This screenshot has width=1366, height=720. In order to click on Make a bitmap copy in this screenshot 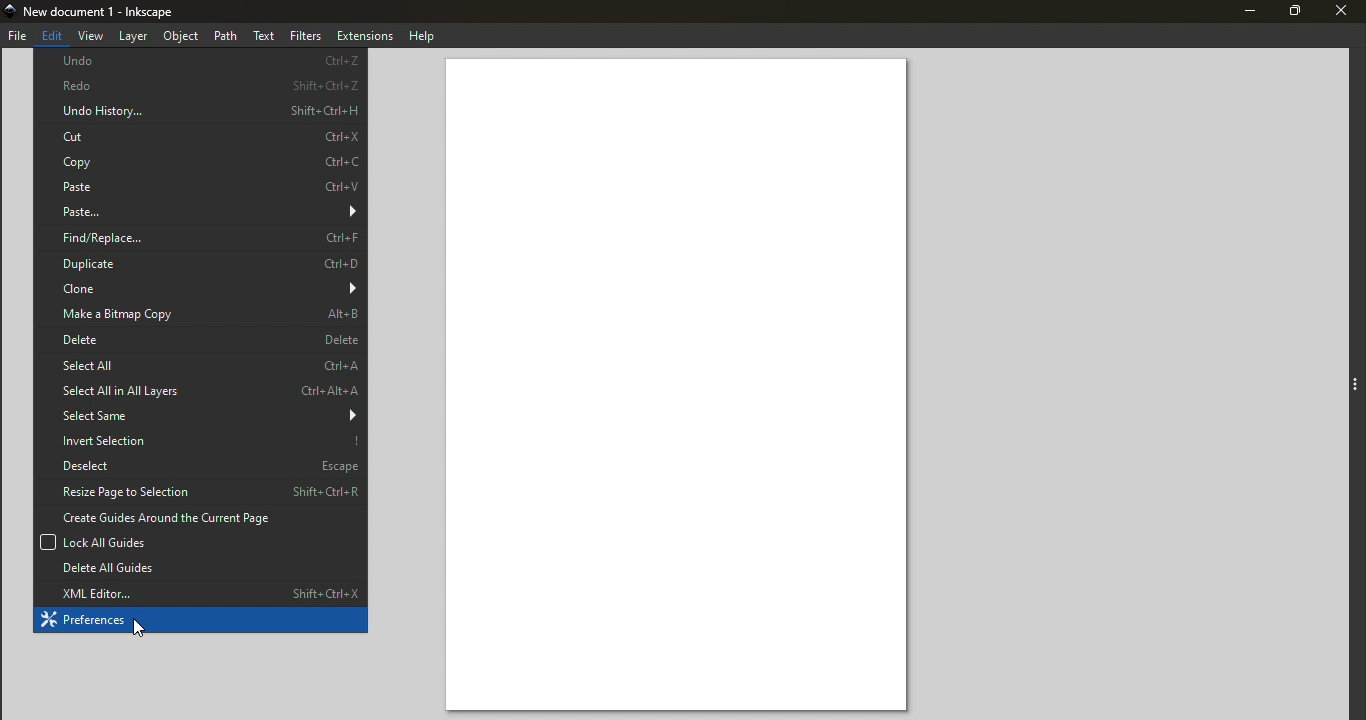, I will do `click(199, 315)`.